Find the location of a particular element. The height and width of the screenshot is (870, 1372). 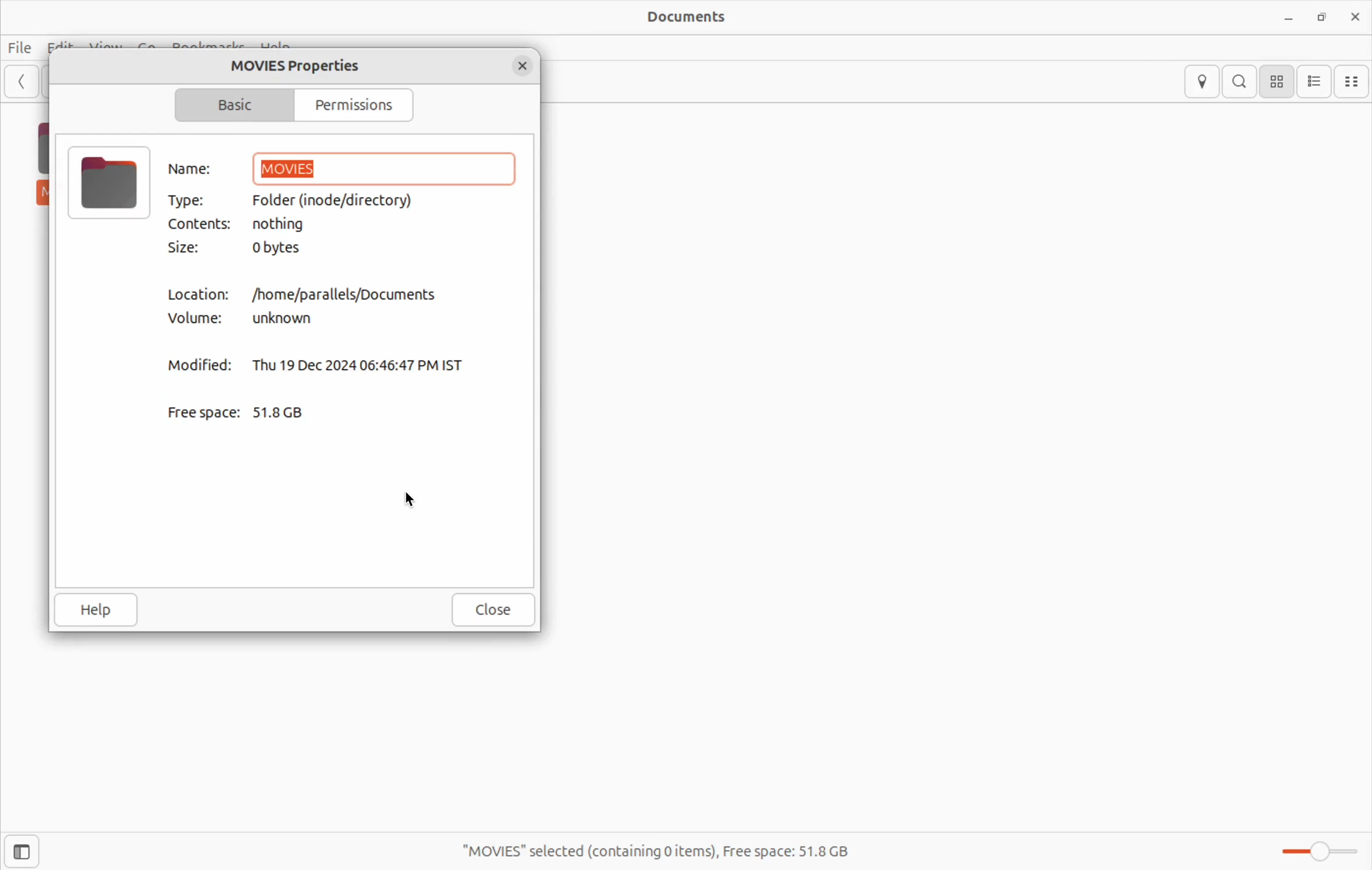

Contexts is located at coordinates (198, 223).